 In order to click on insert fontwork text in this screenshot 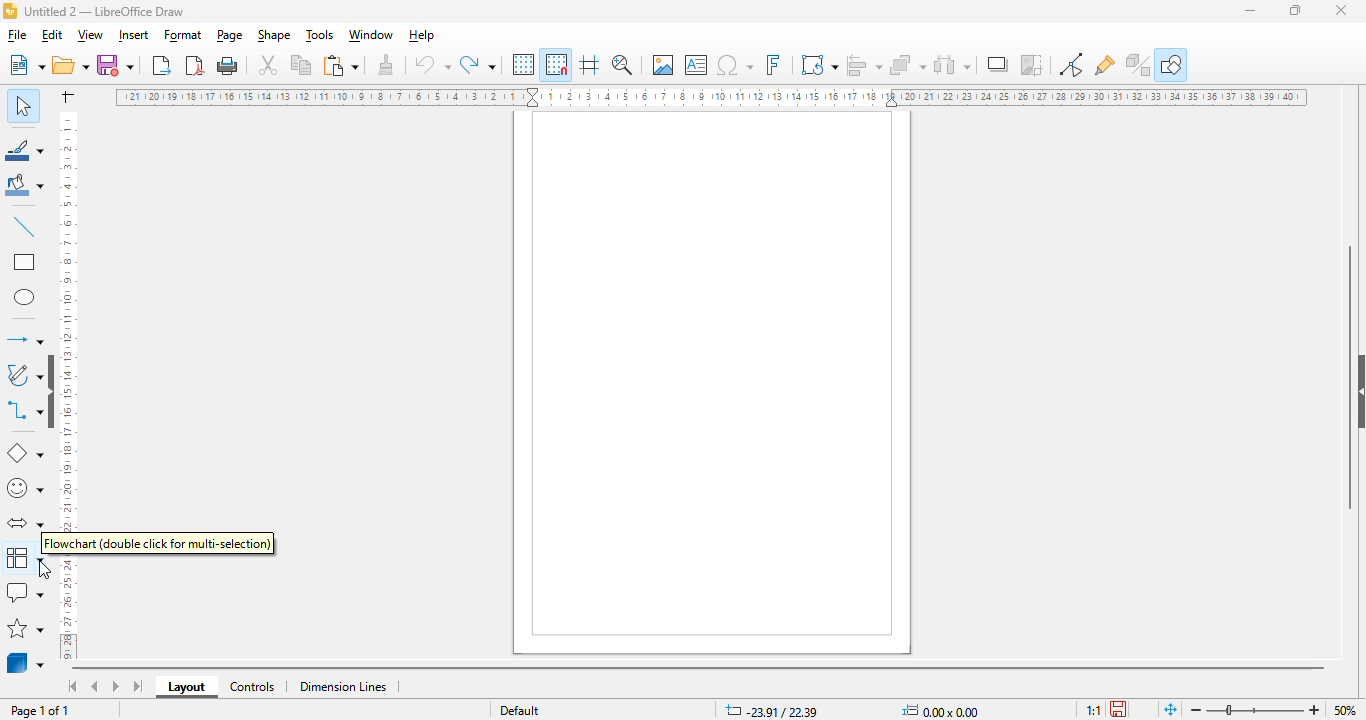, I will do `click(774, 63)`.